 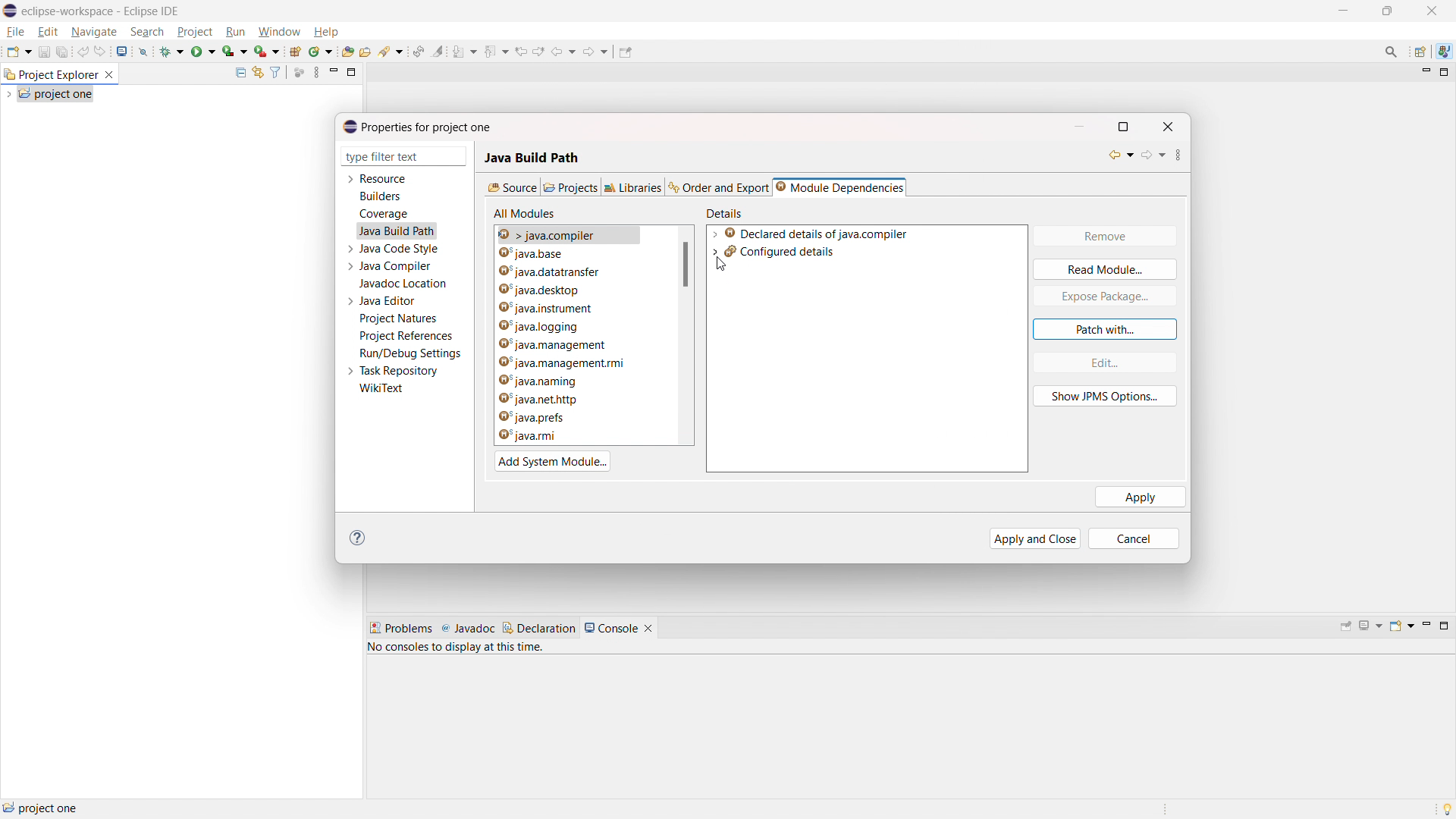 What do you see at coordinates (388, 301) in the screenshot?
I see `java editor` at bounding box center [388, 301].